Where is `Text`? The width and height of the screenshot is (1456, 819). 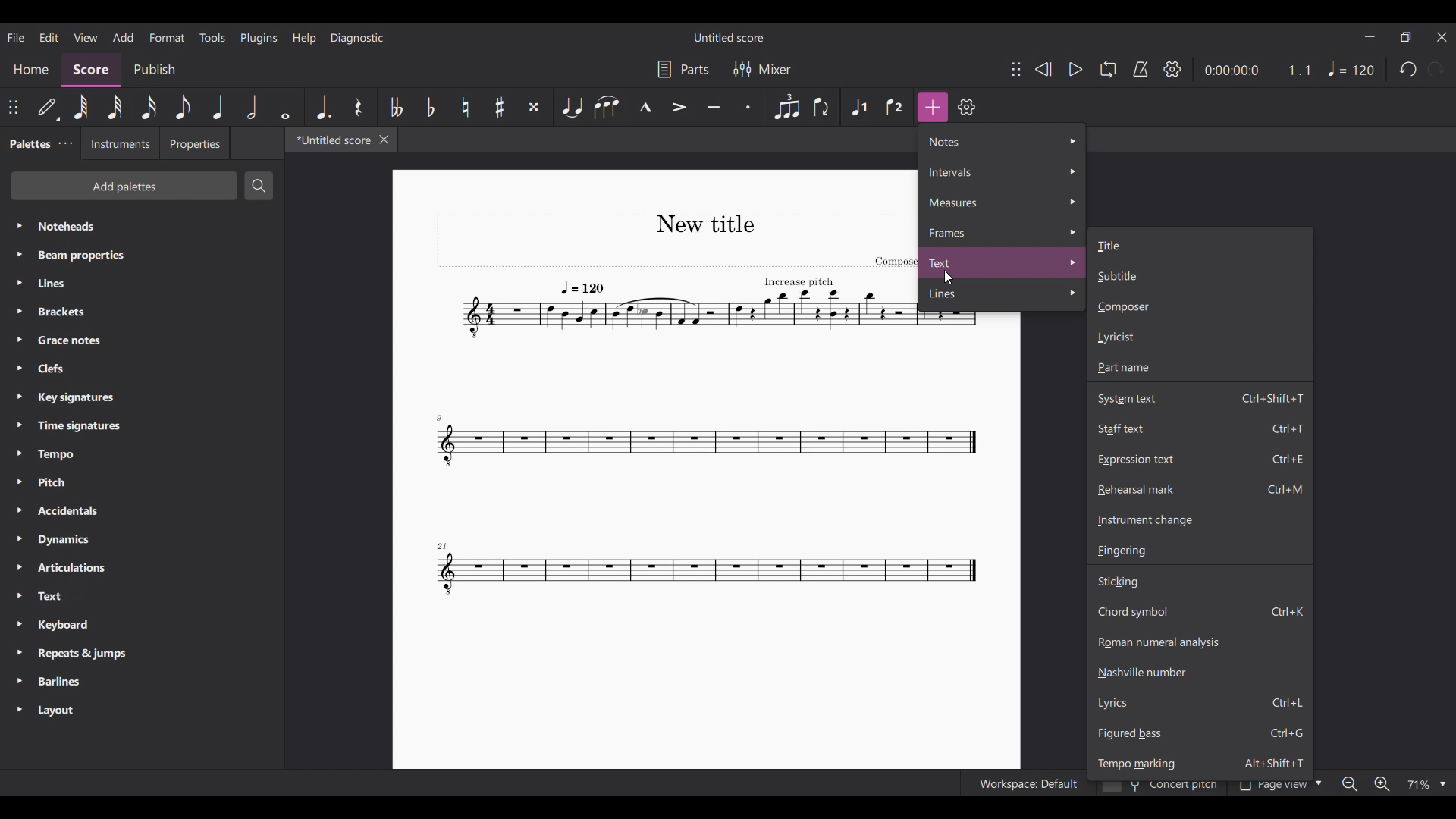 Text is located at coordinates (142, 597).